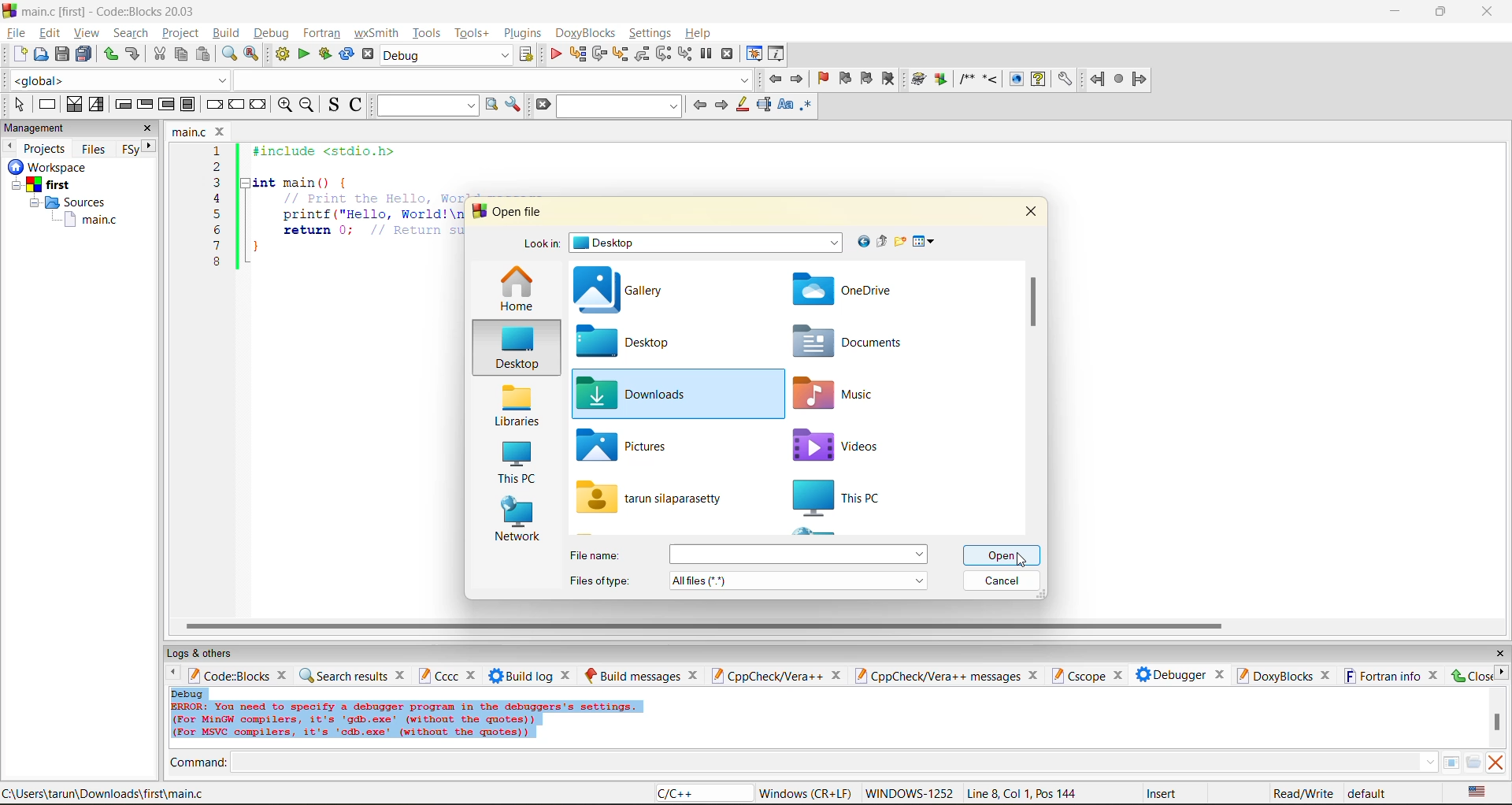  What do you see at coordinates (513, 105) in the screenshot?
I see `show options window` at bounding box center [513, 105].